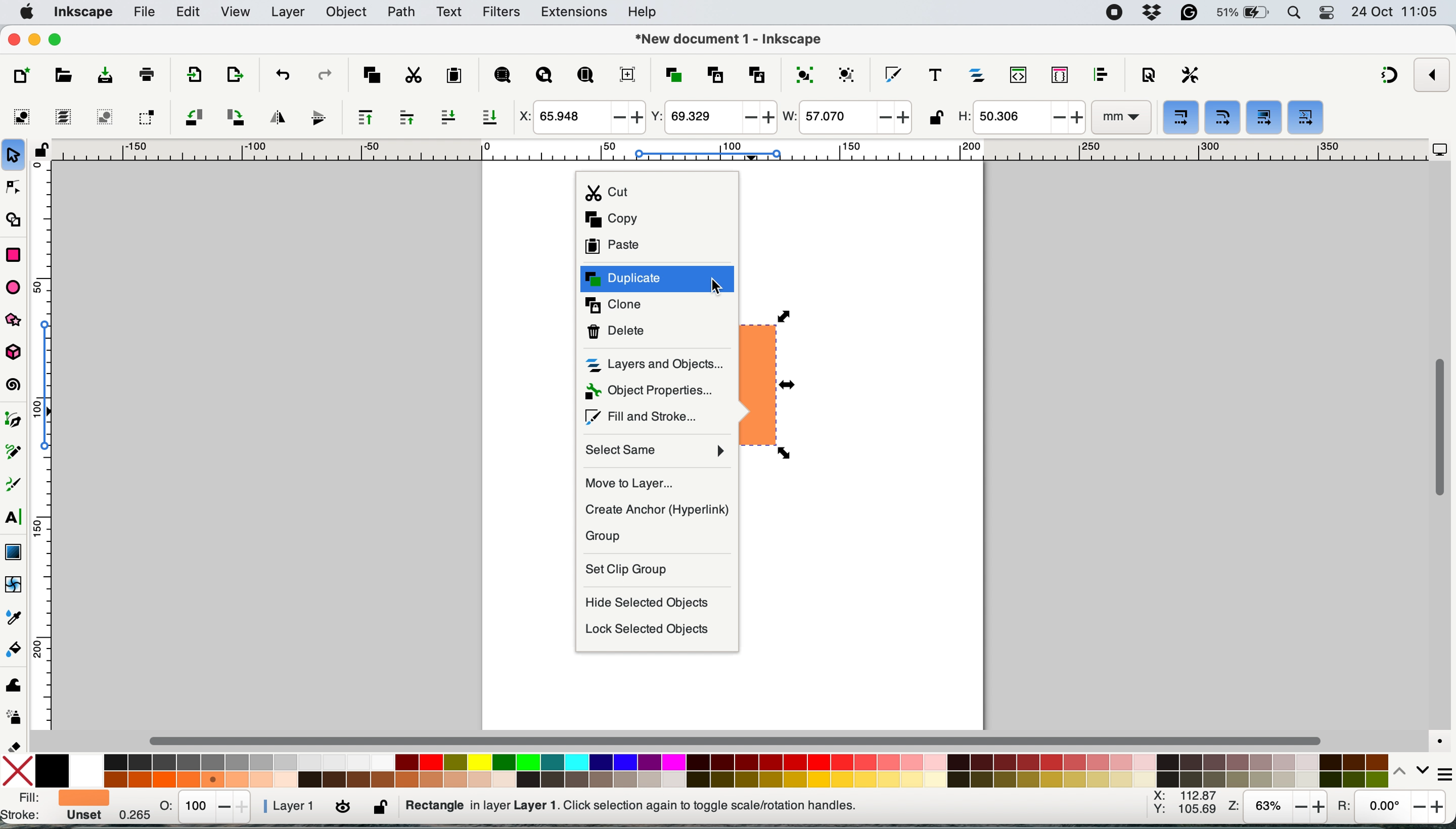 The height and width of the screenshot is (829, 1456). I want to click on maximise, so click(59, 39).